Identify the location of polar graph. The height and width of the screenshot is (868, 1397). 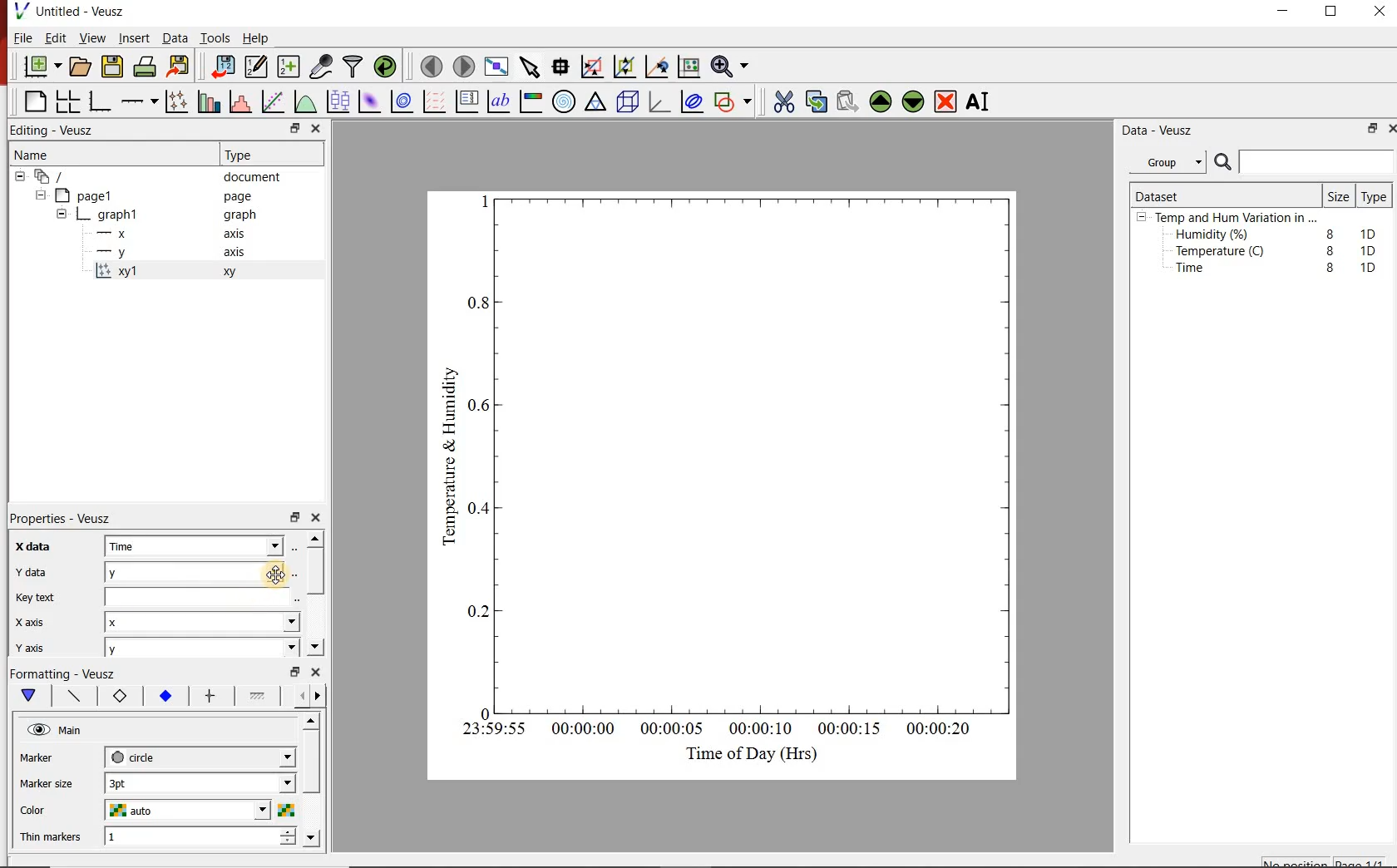
(565, 103).